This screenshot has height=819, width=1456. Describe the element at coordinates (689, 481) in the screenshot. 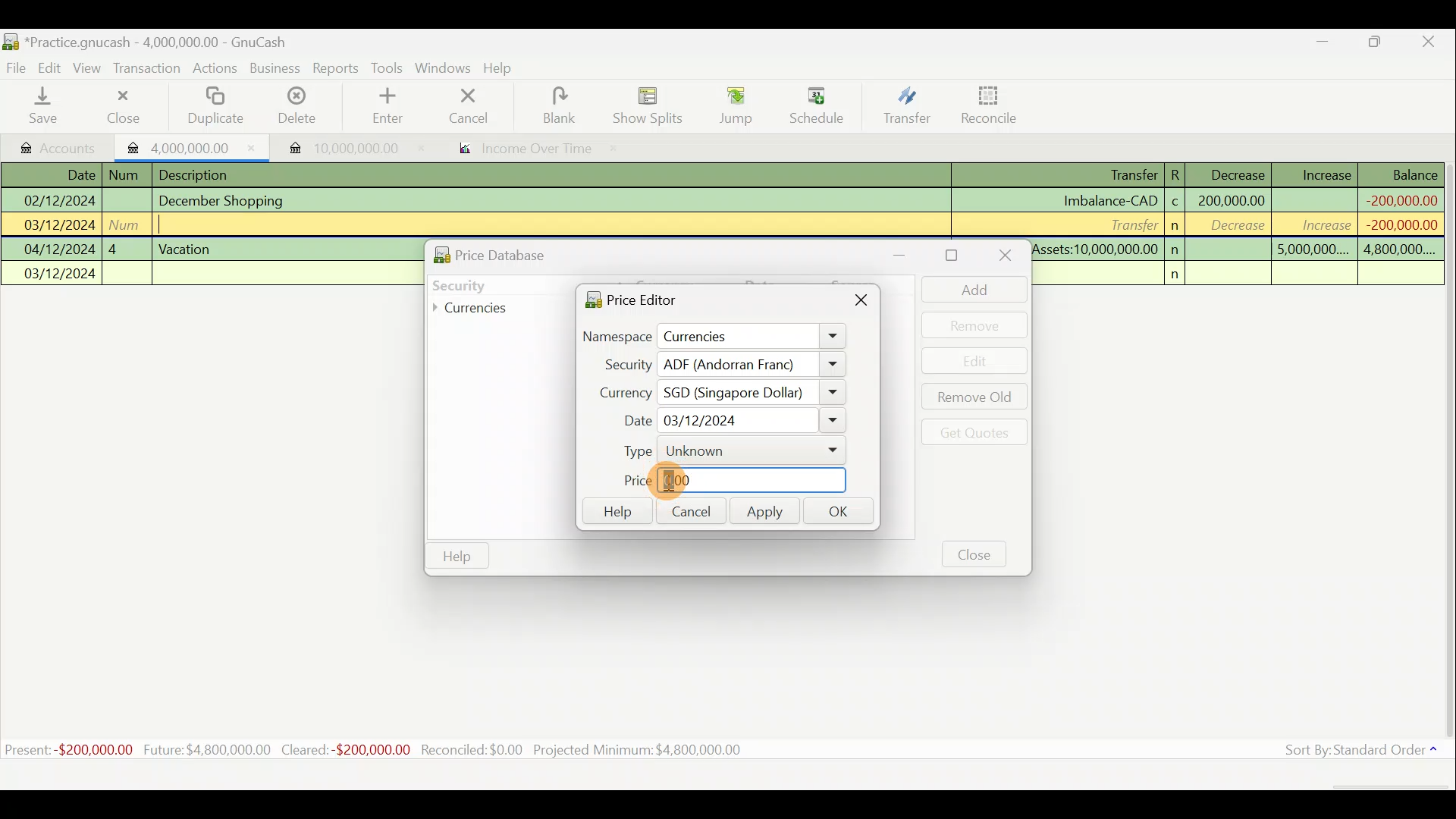

I see `Cursor` at that location.